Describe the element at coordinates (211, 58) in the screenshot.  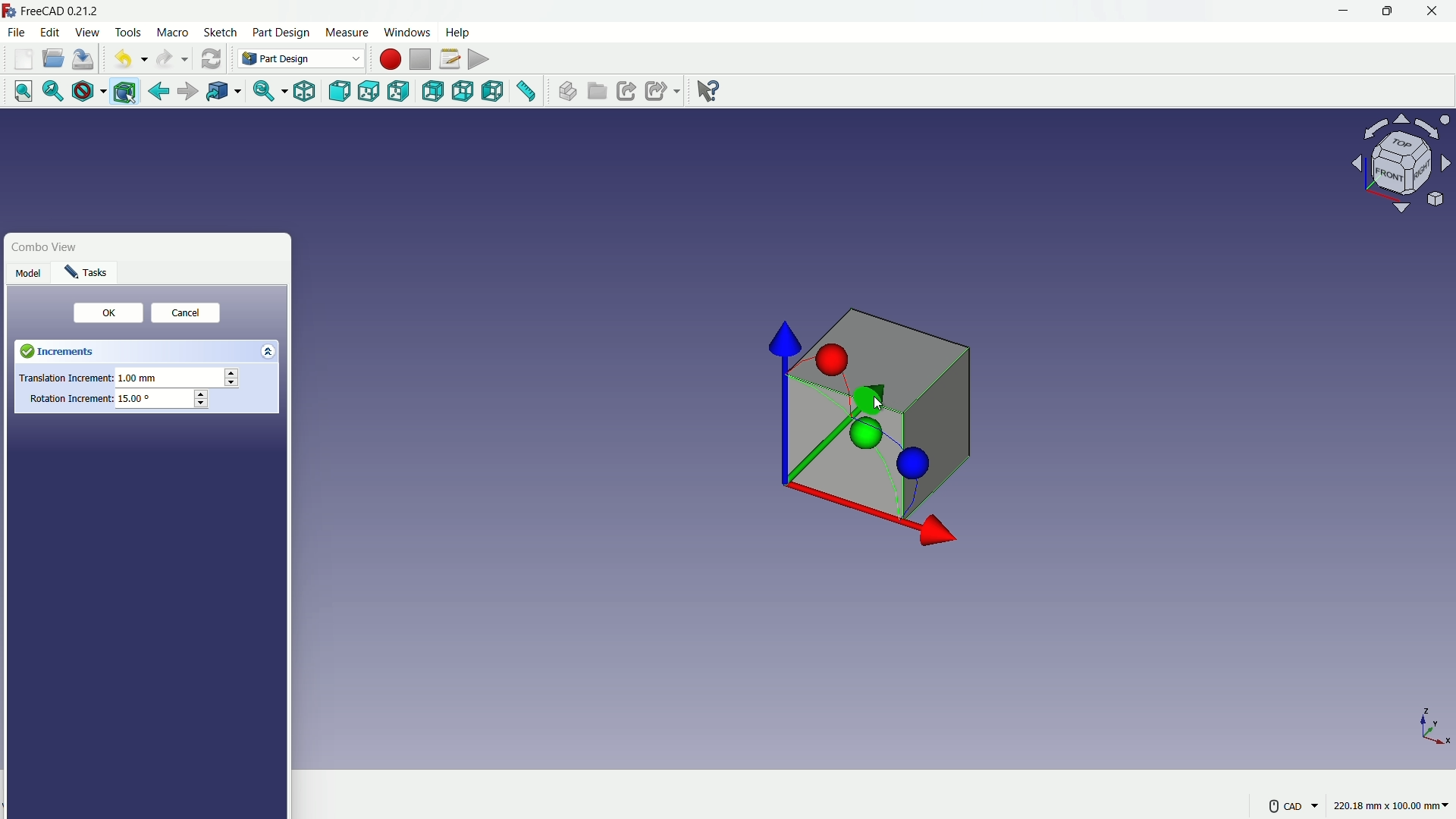
I see `refresh` at that location.